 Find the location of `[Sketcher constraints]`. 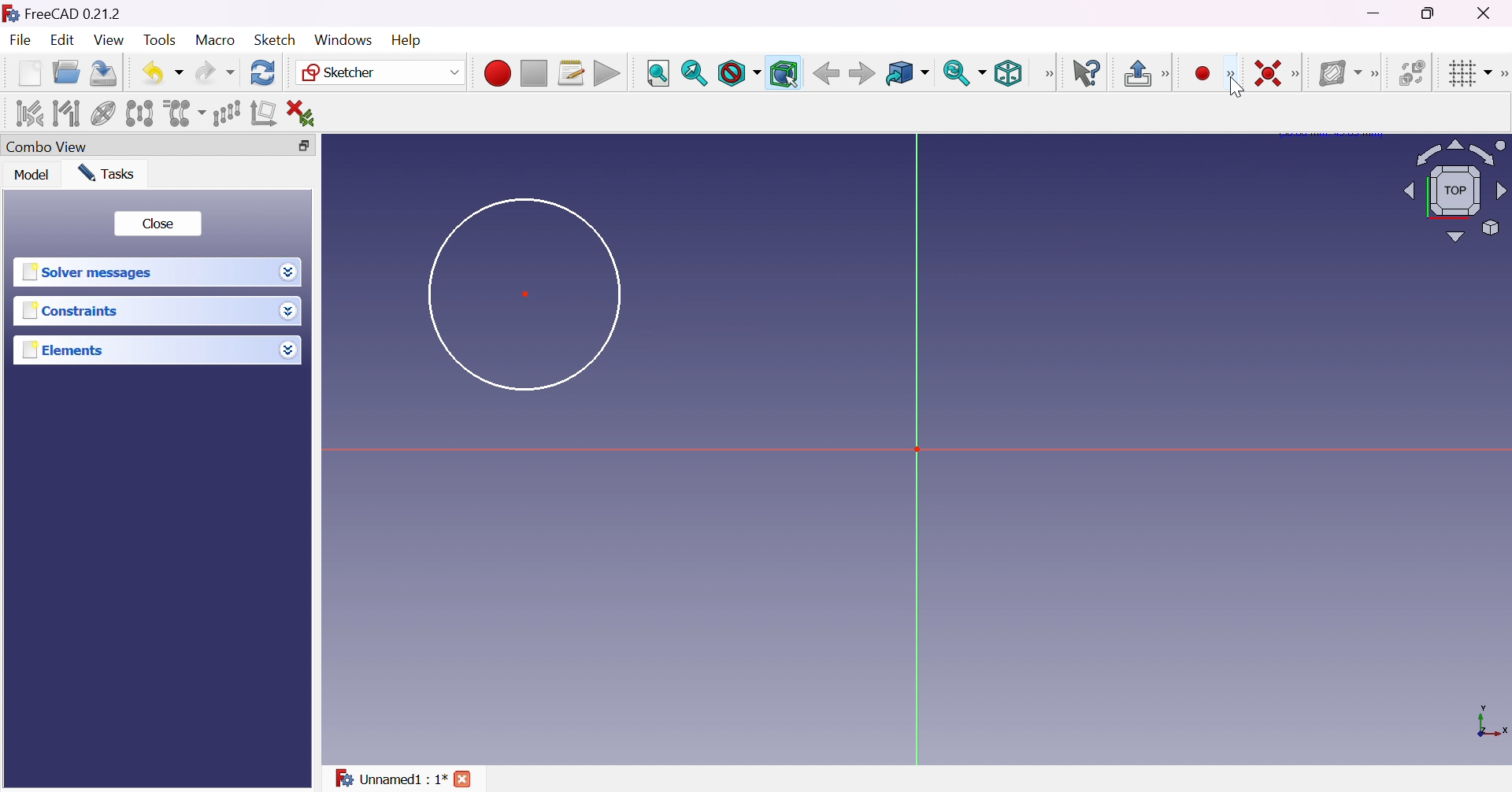

[Sketcher constraints] is located at coordinates (1299, 75).